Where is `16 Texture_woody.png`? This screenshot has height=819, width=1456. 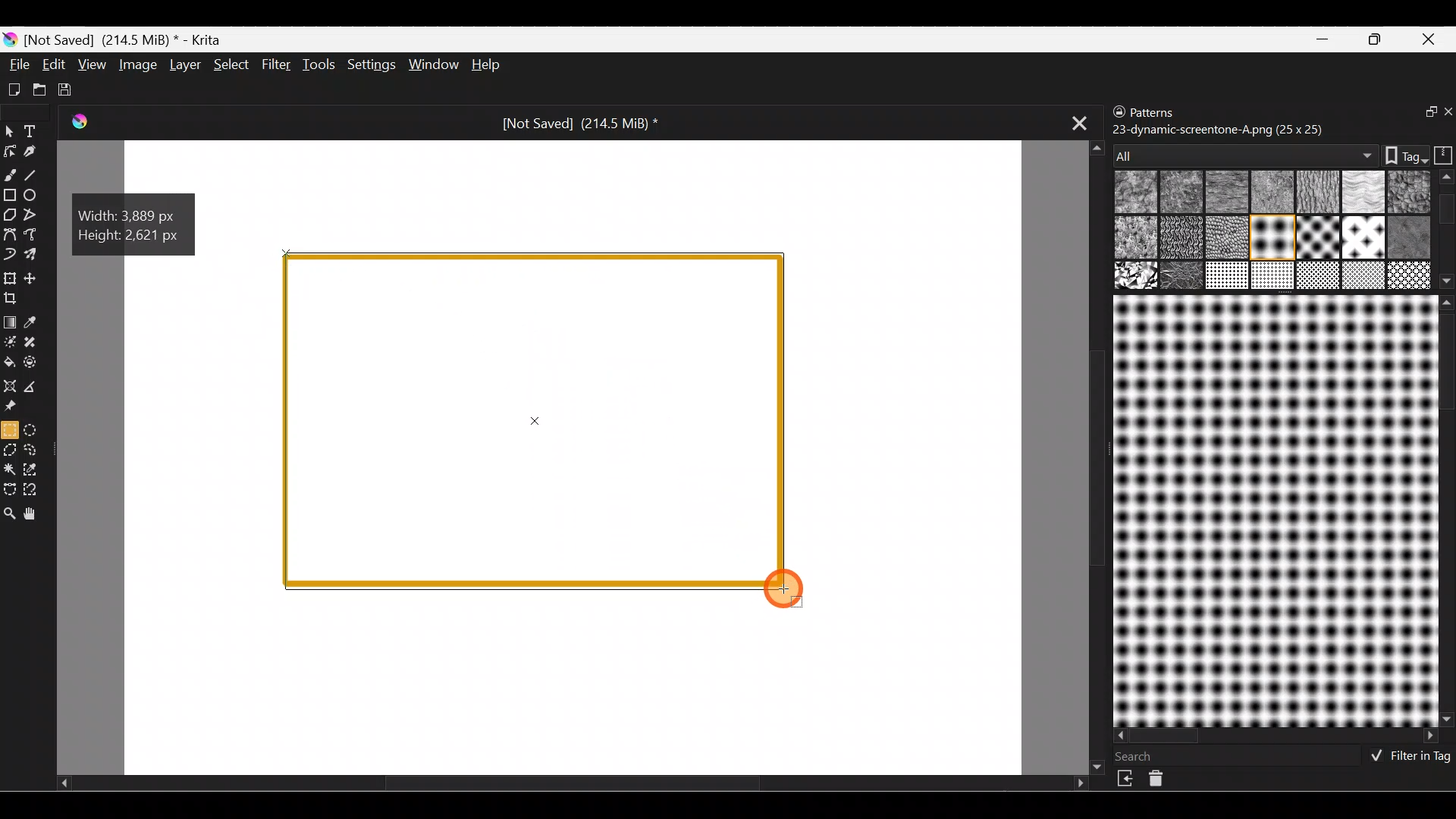
16 Texture_woody.png is located at coordinates (1228, 277).